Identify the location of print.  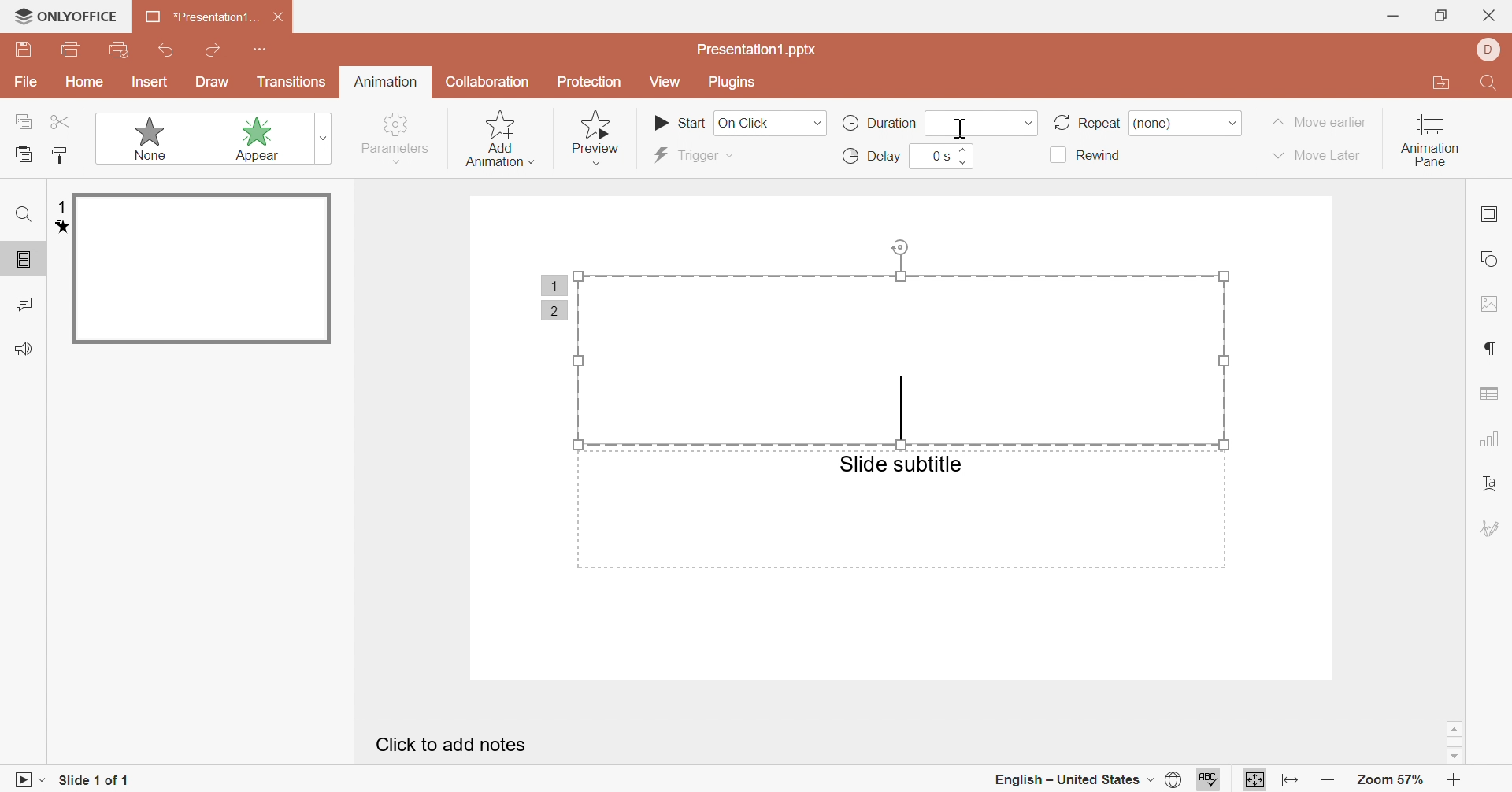
(73, 48).